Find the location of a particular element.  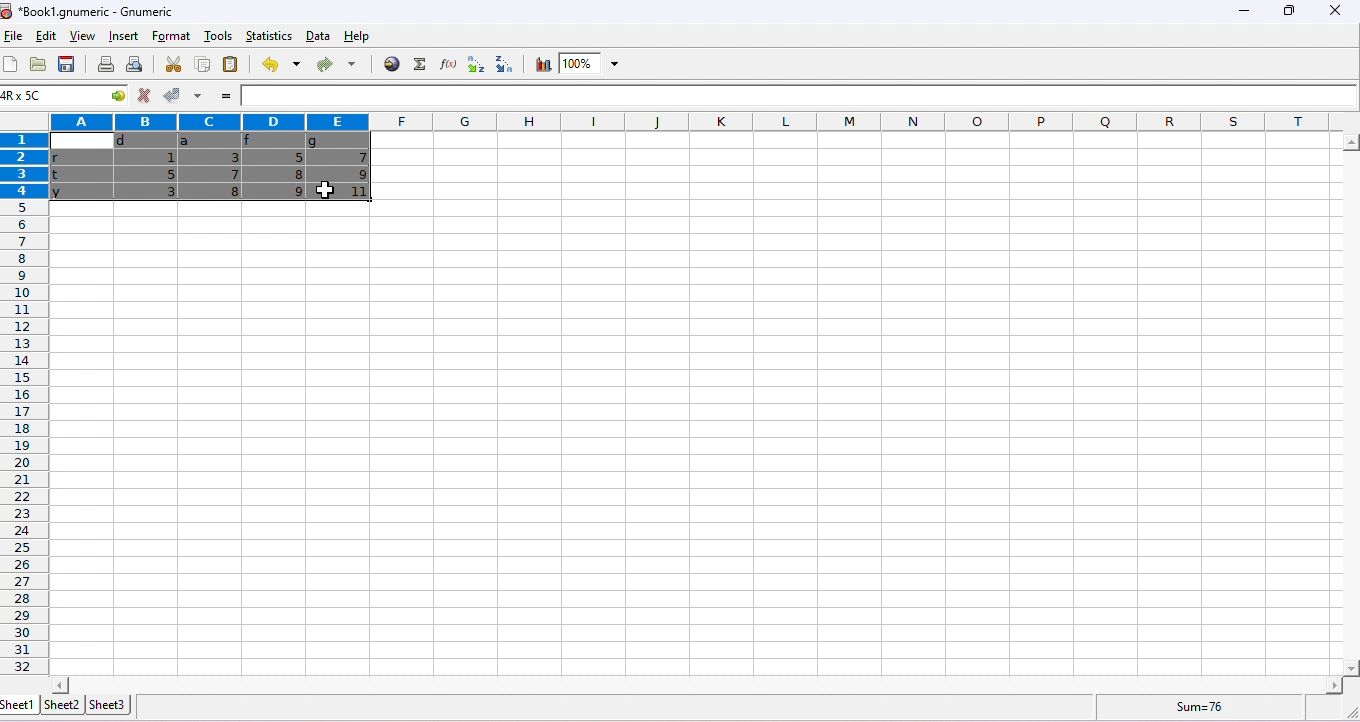

open is located at coordinates (38, 65).